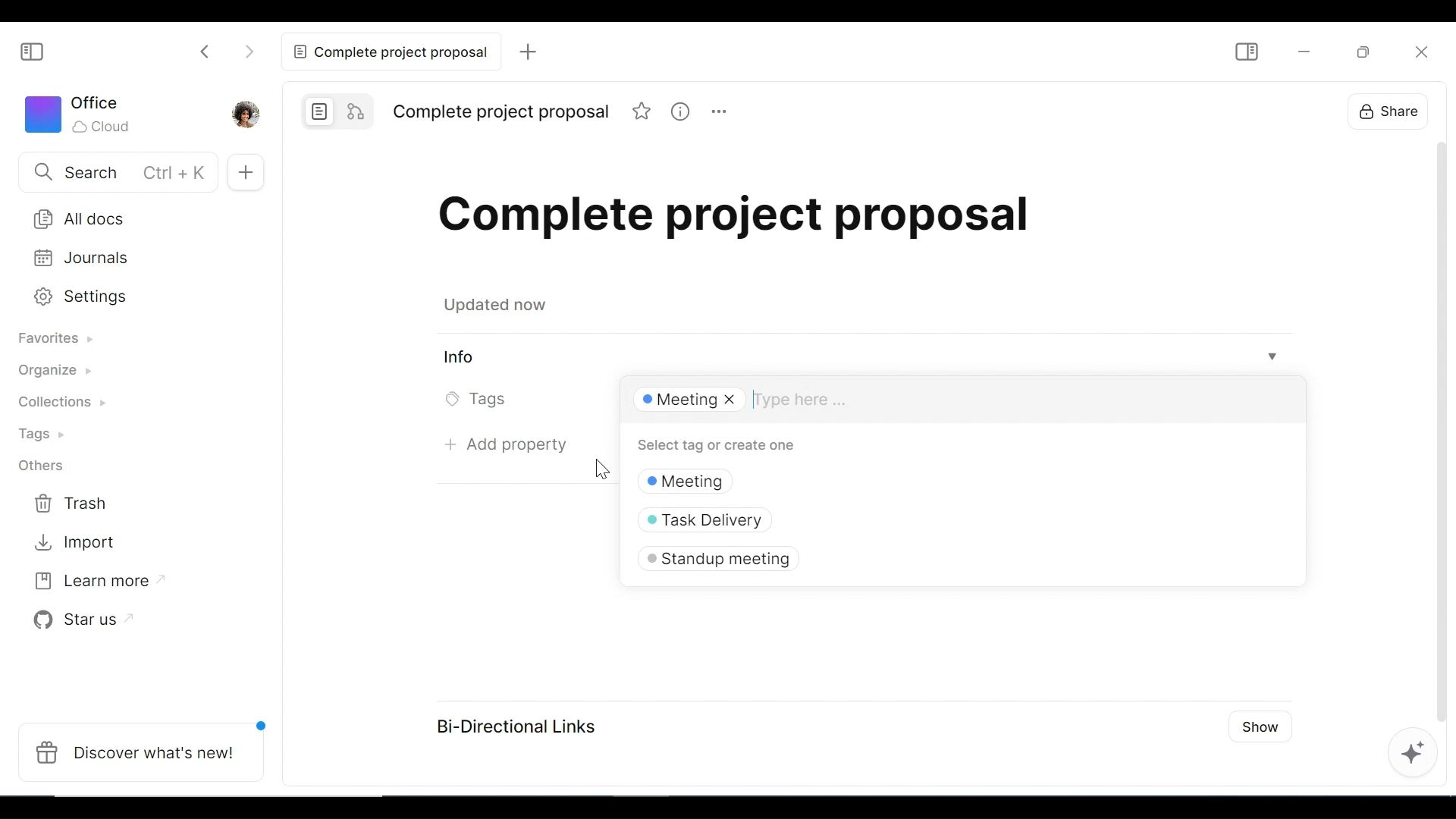 Image resolution: width=1456 pixels, height=819 pixels. What do you see at coordinates (598, 468) in the screenshot?
I see `Cursor` at bounding box center [598, 468].